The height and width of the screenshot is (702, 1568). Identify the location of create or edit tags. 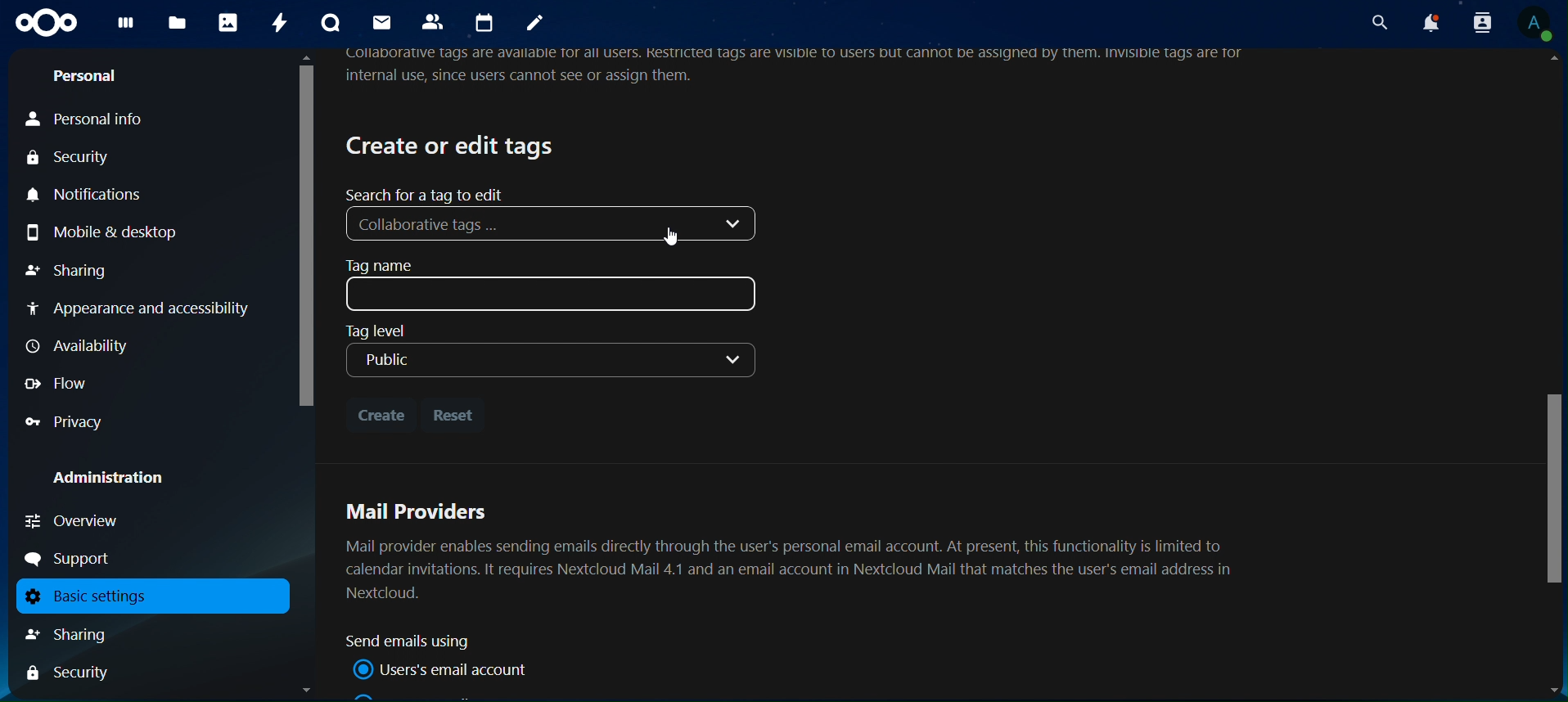
(453, 145).